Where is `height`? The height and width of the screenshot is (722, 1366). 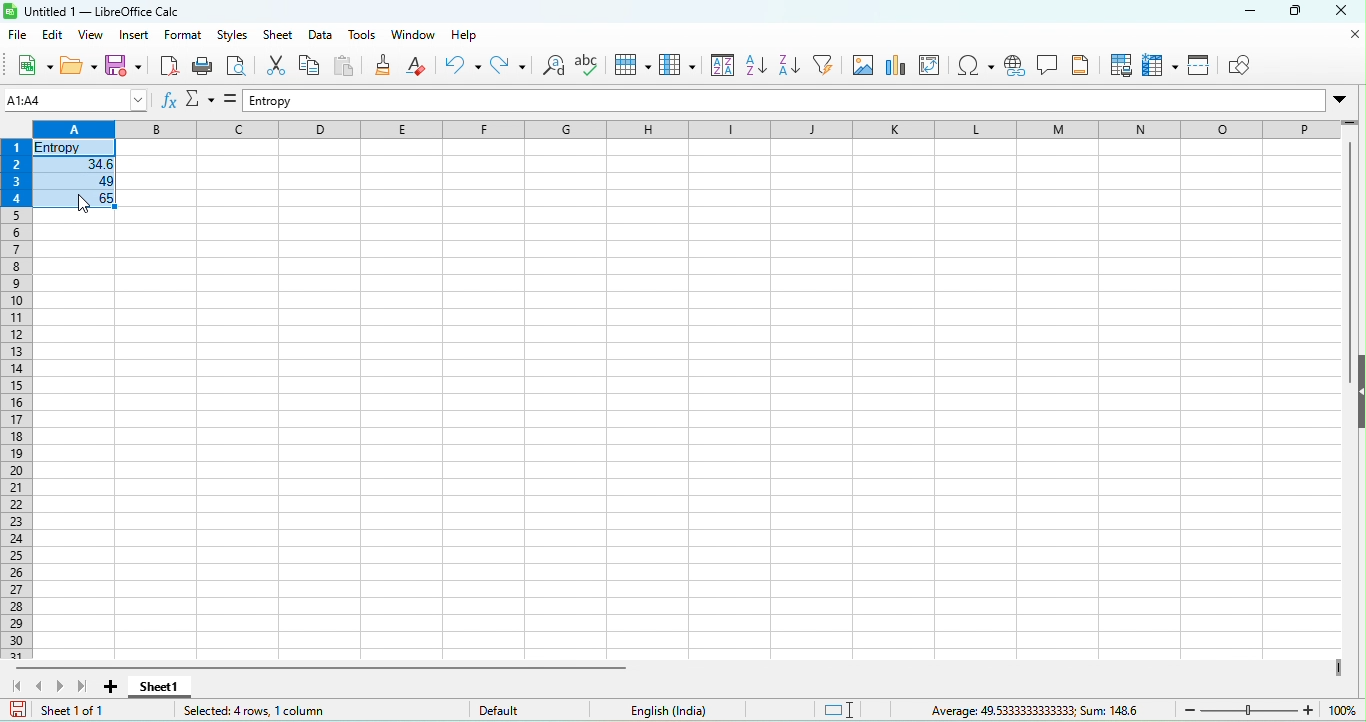 height is located at coordinates (1357, 399).